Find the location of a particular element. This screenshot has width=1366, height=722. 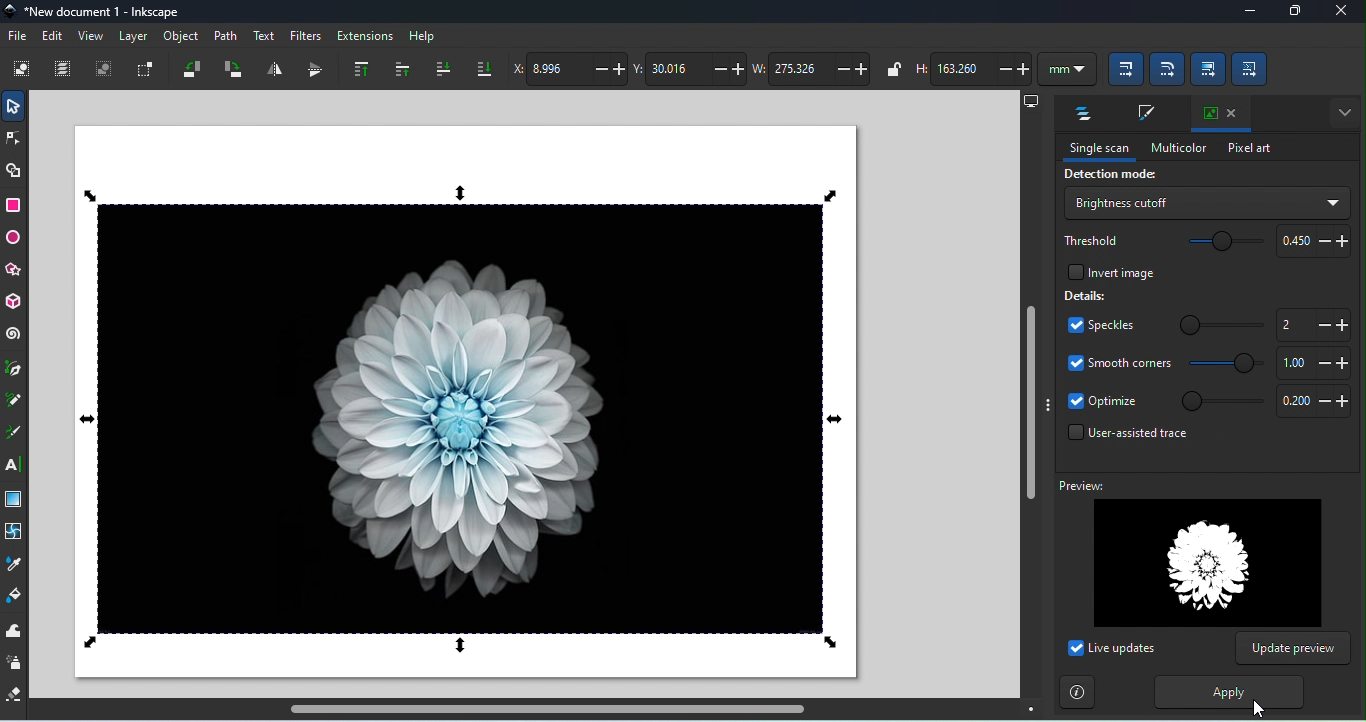

Preview is located at coordinates (1194, 553).